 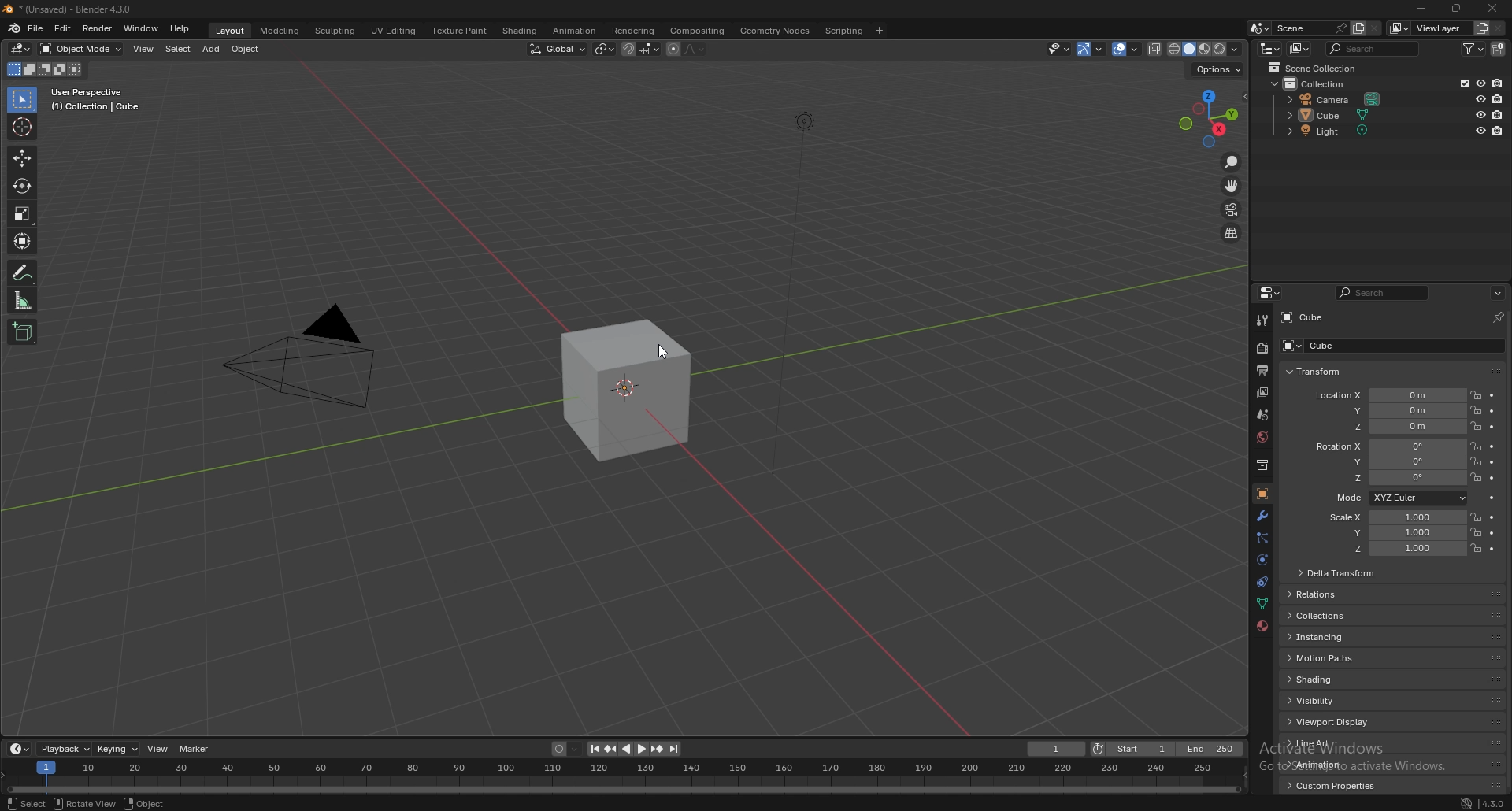 I want to click on disable in render, so click(x=1499, y=114).